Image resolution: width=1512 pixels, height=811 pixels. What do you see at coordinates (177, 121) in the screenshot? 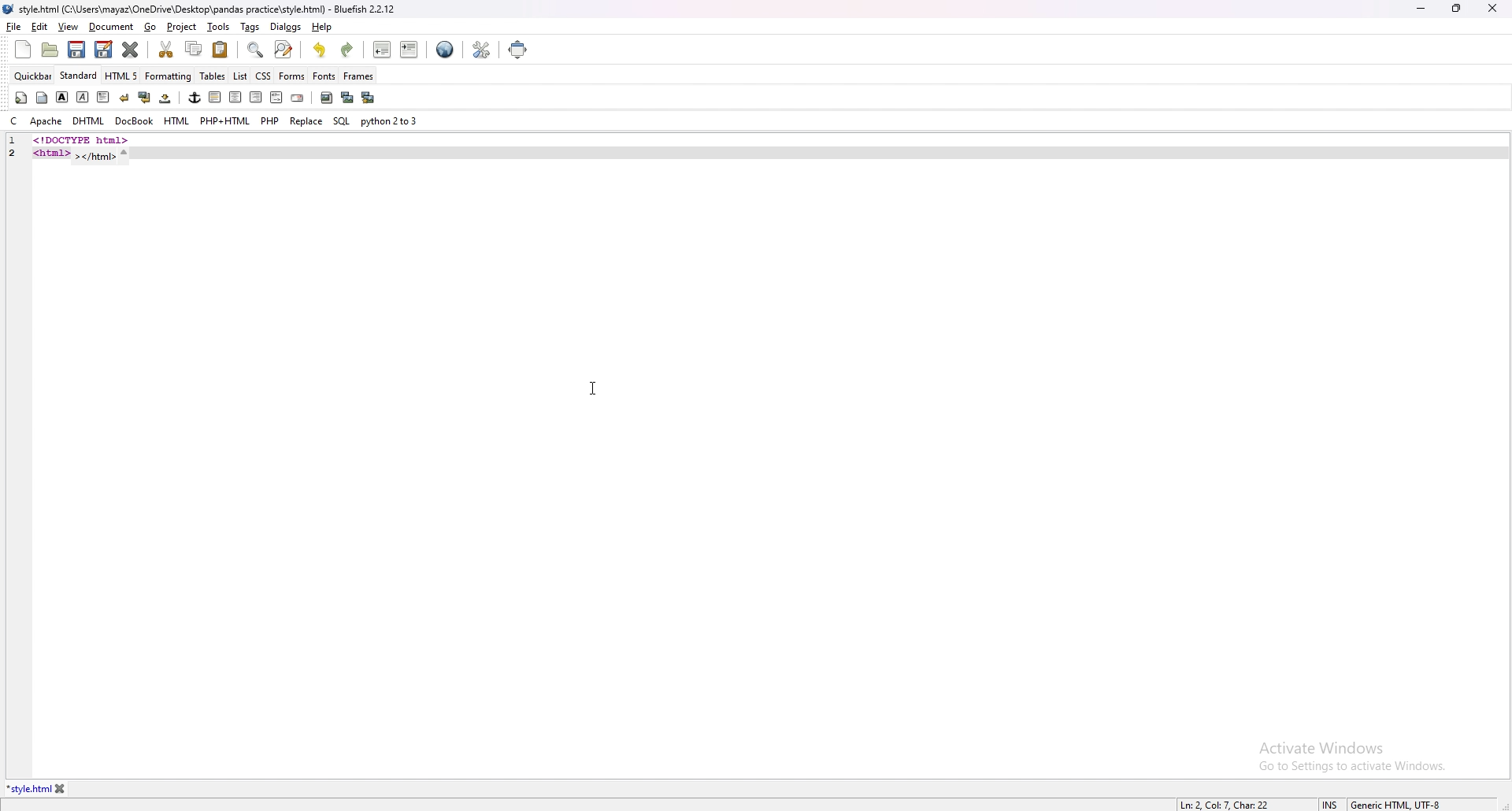
I see `html` at bounding box center [177, 121].